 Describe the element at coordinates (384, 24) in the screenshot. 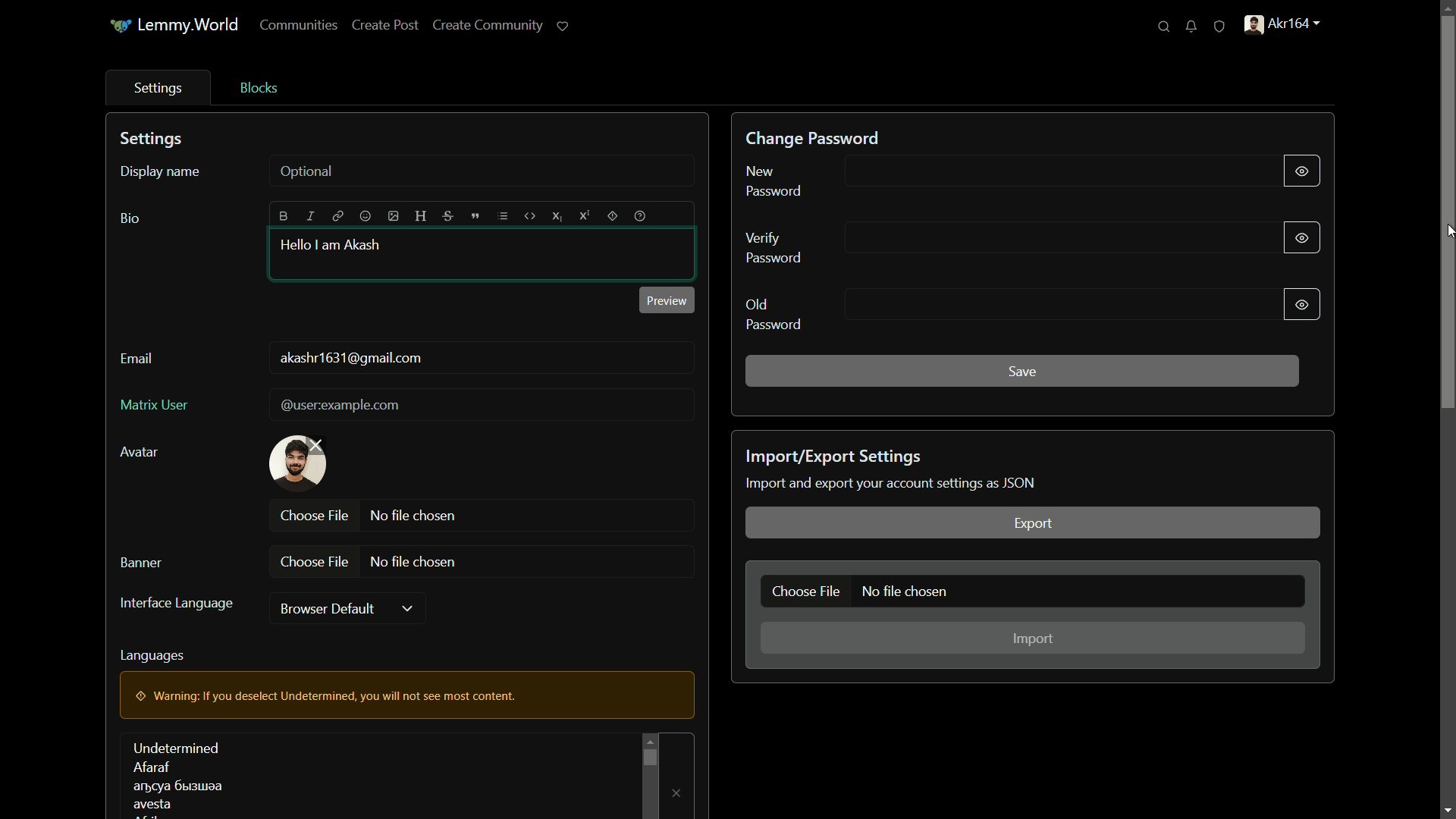

I see `create post` at that location.